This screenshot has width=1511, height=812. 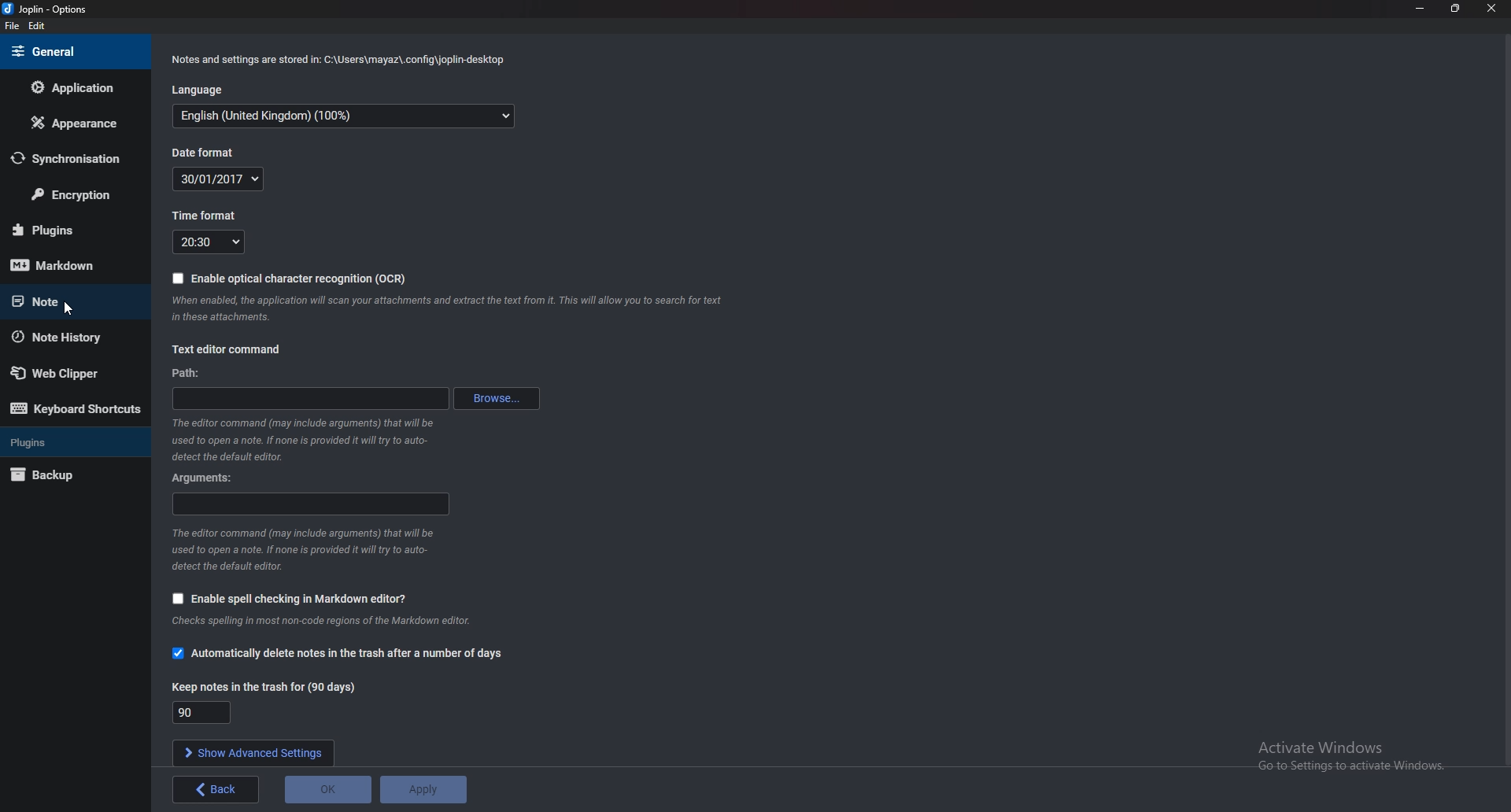 What do you see at coordinates (258, 752) in the screenshot?
I see `show advanced settings` at bounding box center [258, 752].